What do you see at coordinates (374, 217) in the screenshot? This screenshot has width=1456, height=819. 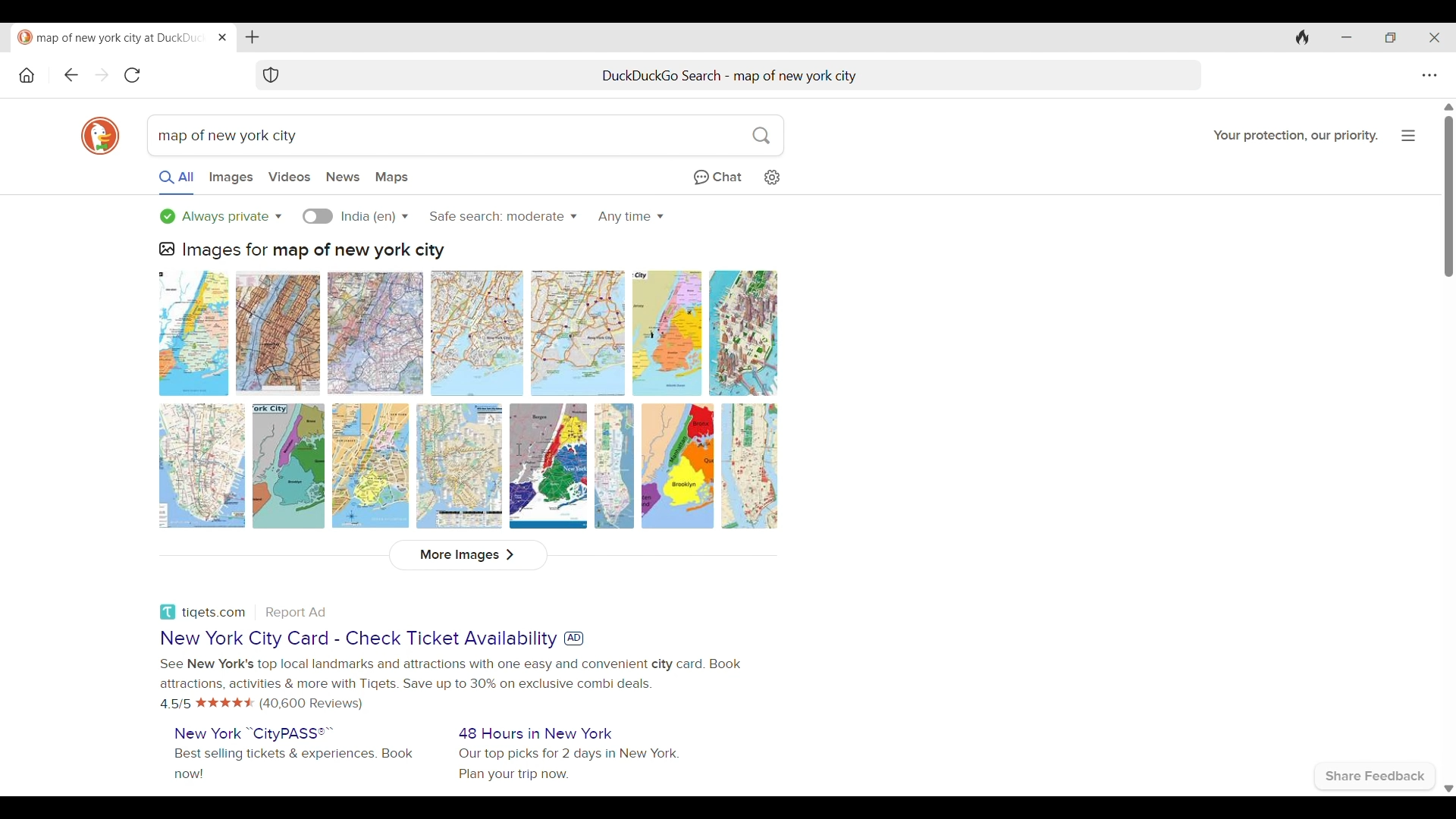 I see `Language options` at bounding box center [374, 217].